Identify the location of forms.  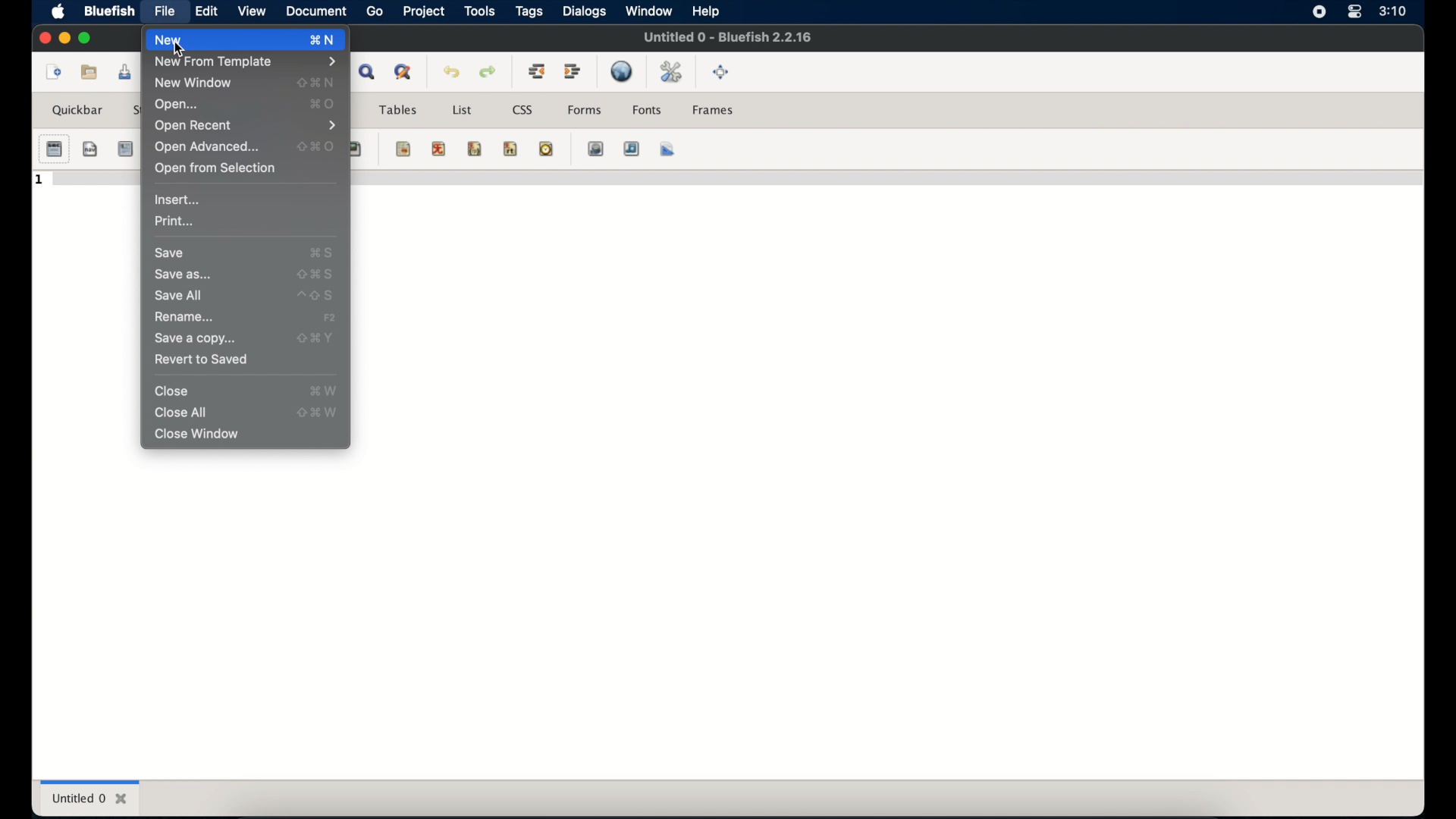
(585, 109).